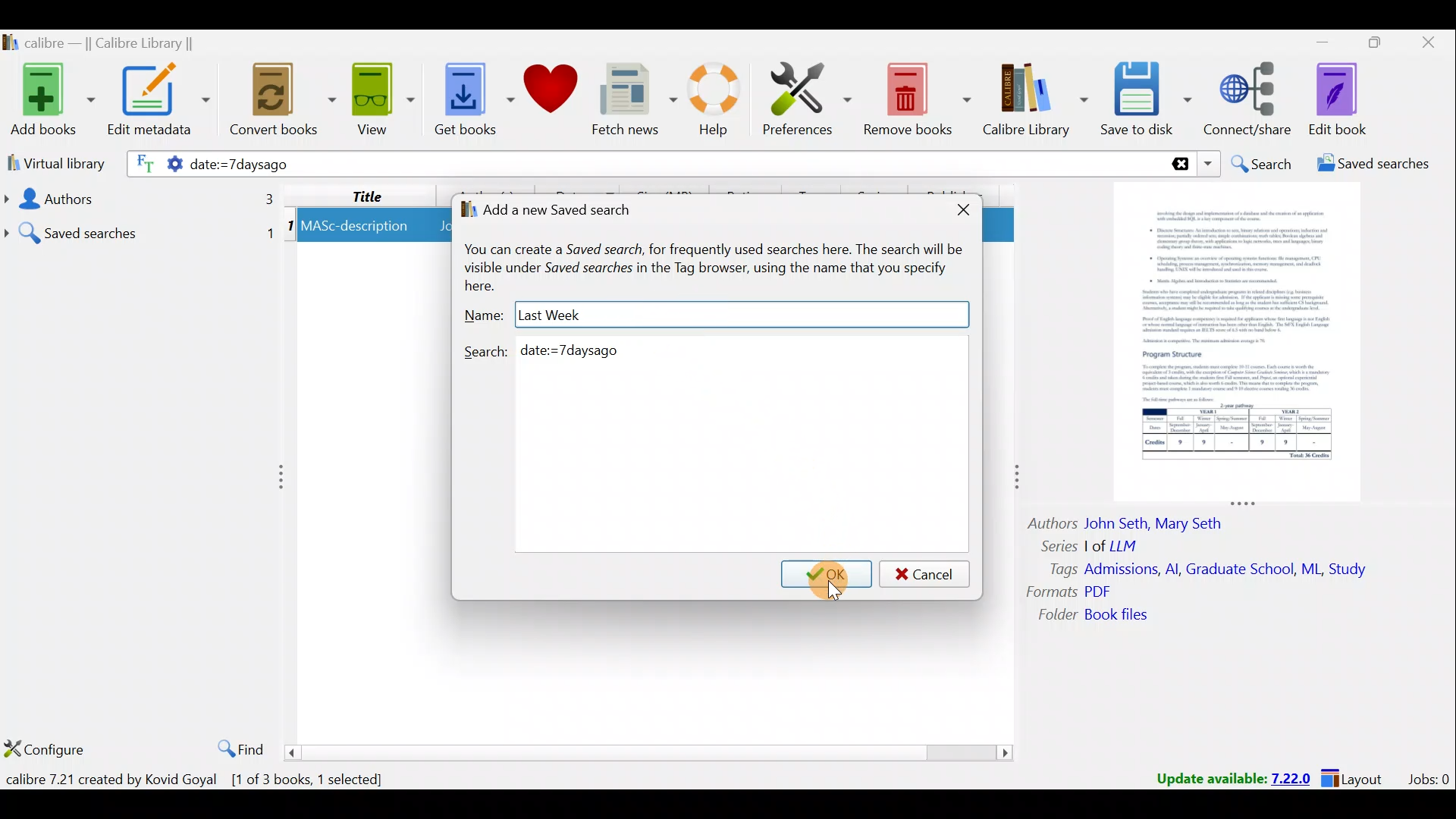  What do you see at coordinates (162, 102) in the screenshot?
I see `Edit metadata` at bounding box center [162, 102].